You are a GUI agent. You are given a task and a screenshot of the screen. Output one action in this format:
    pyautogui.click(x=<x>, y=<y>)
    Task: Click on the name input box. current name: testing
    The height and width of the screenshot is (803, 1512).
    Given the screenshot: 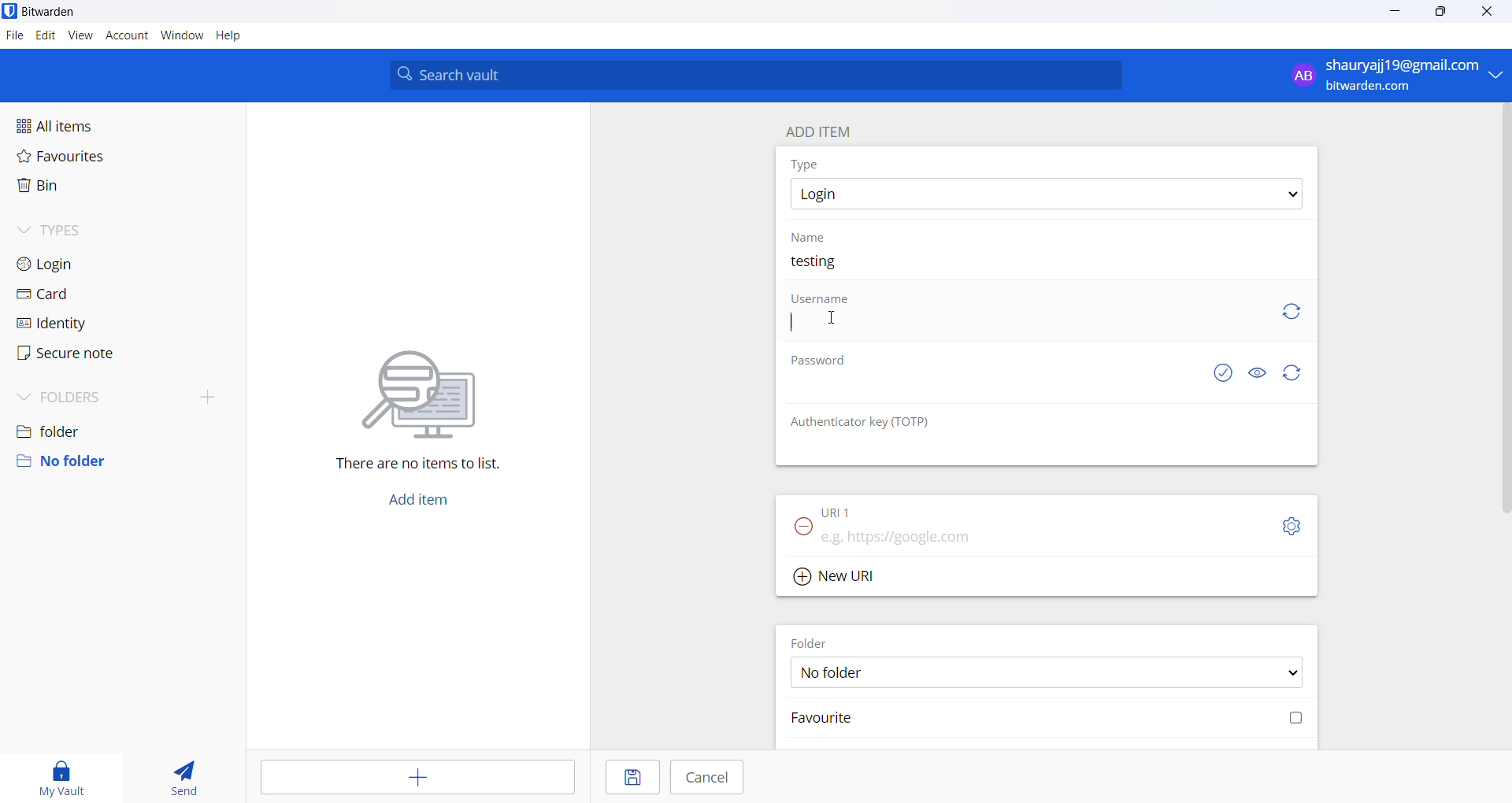 What is the action you would take?
    pyautogui.click(x=1048, y=269)
    